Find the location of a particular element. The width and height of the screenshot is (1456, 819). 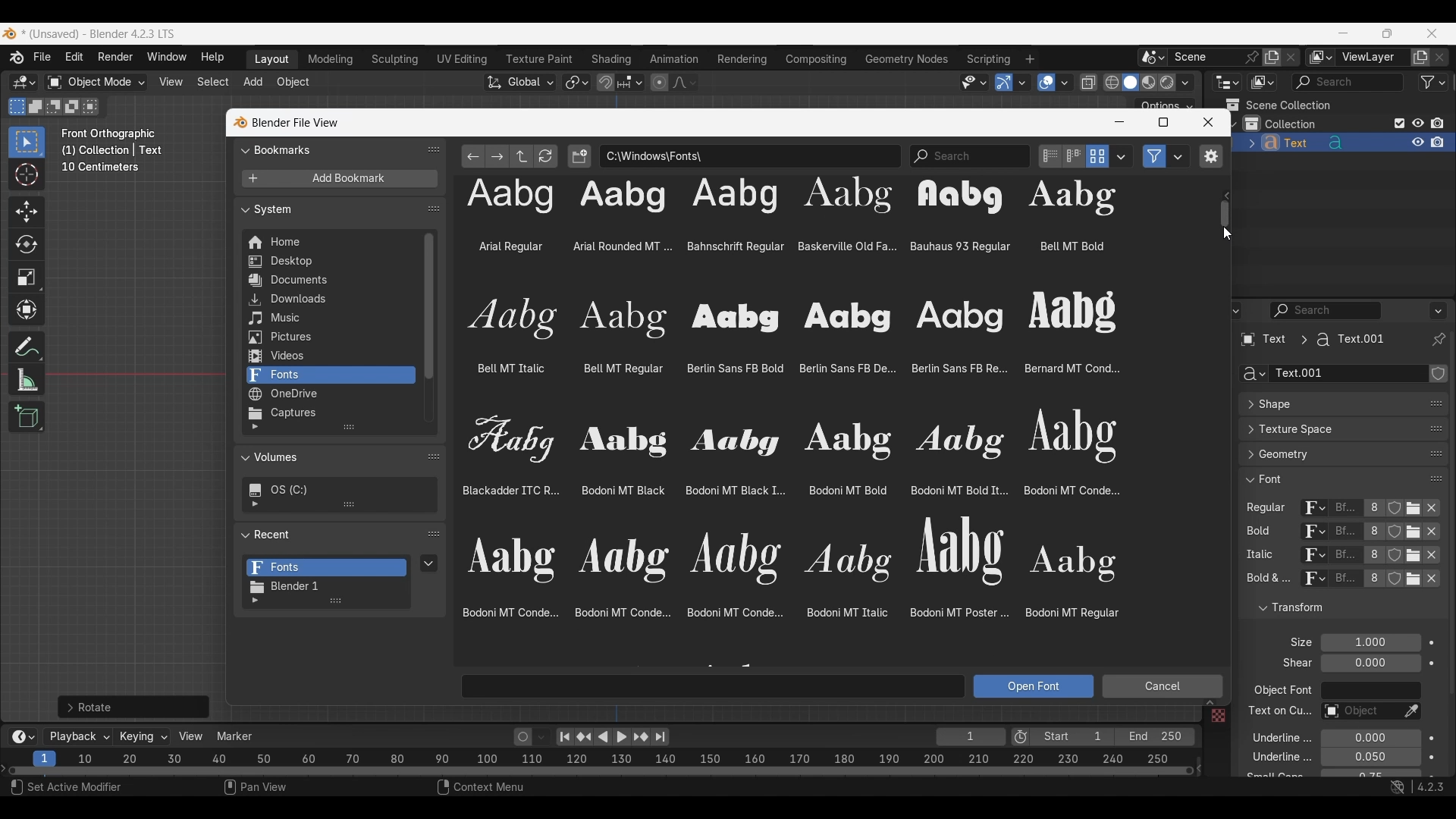

nlink respective attribute is located at coordinates (1406, 533).